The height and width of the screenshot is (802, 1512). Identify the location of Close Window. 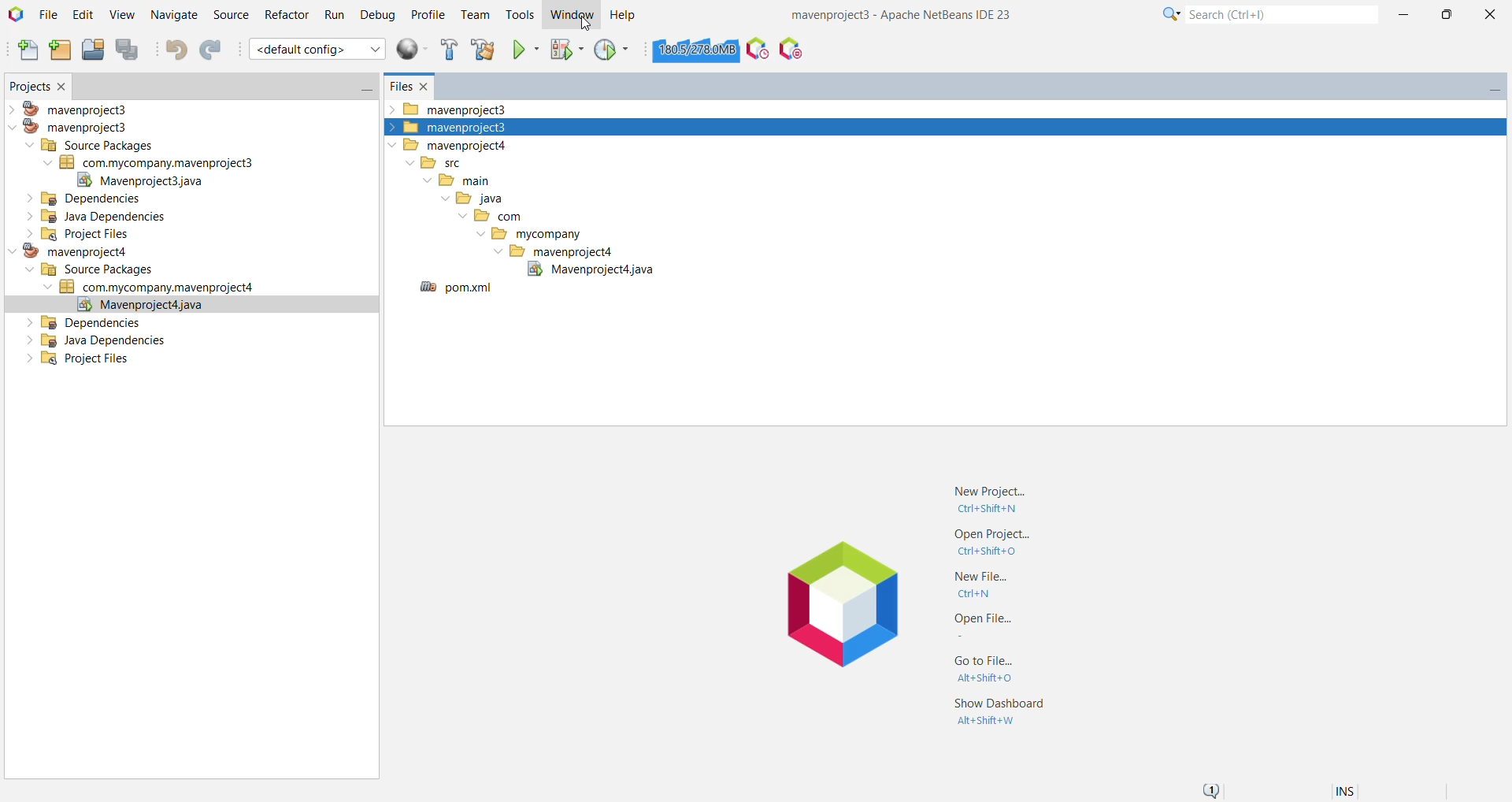
(427, 85).